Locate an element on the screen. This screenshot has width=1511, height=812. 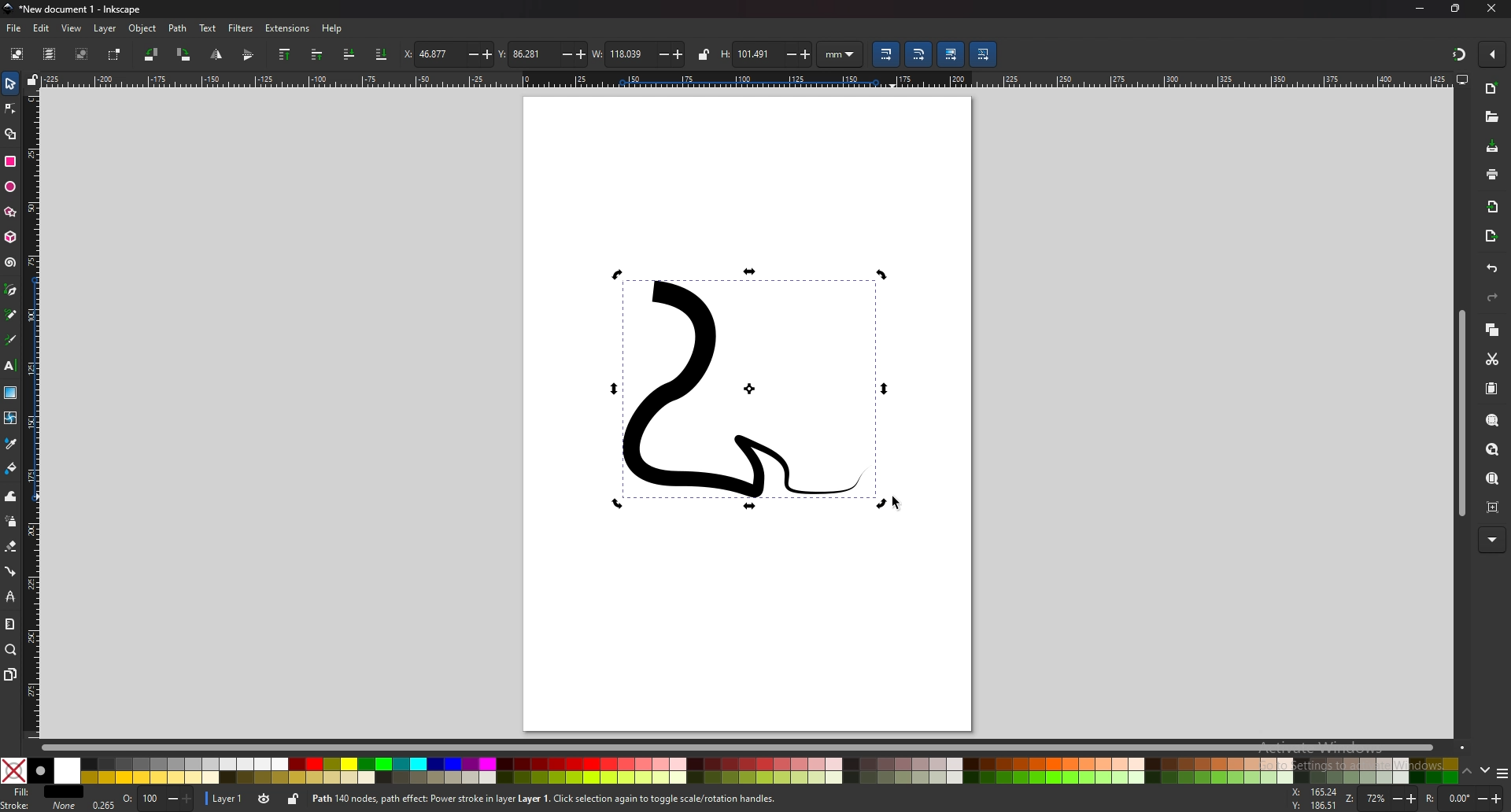
measure is located at coordinates (9, 622).